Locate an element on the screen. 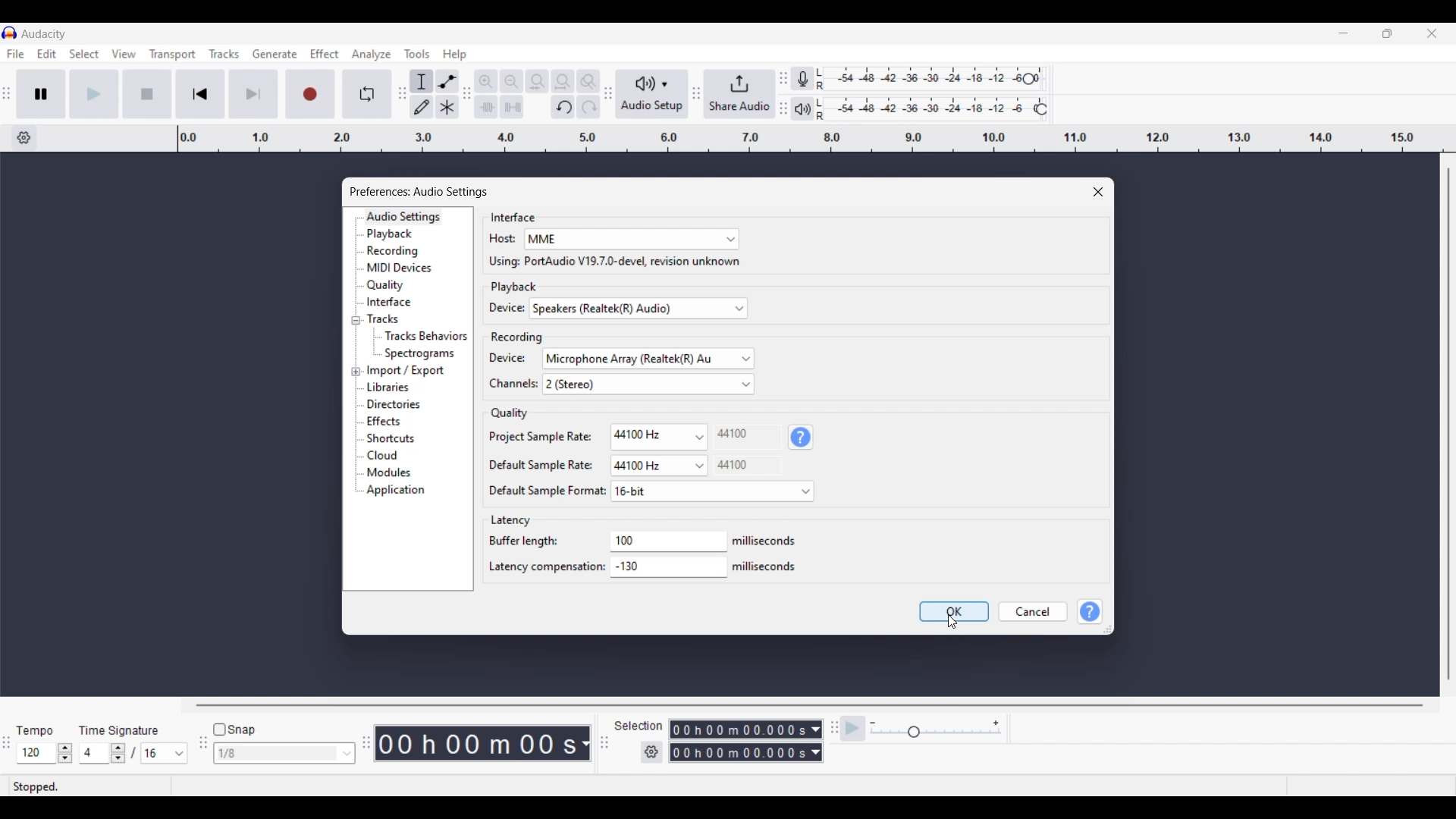 Image resolution: width=1456 pixels, height=819 pixels. Modules is located at coordinates (400, 473).